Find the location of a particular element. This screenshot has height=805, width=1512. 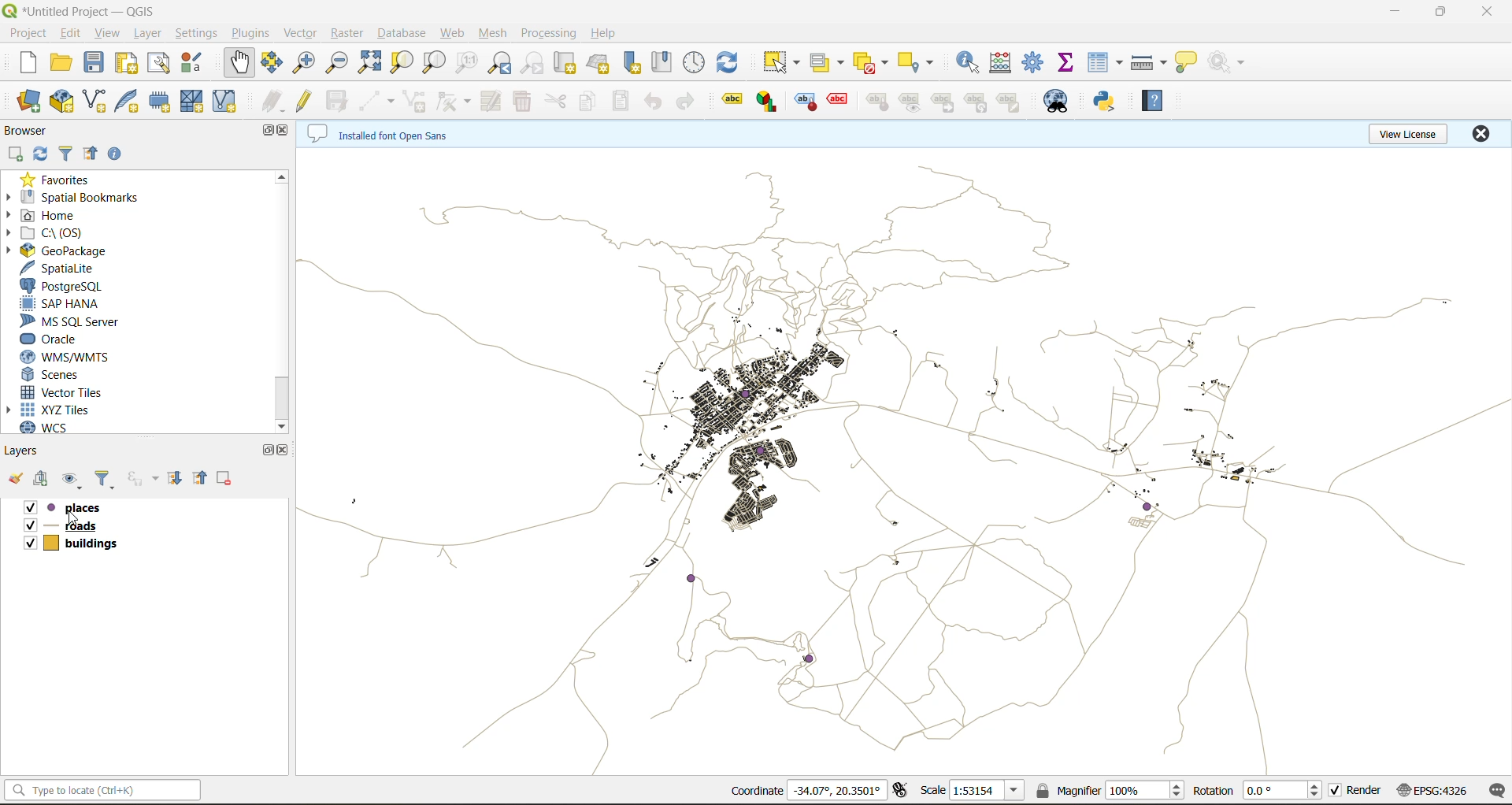

raster is located at coordinates (345, 34).